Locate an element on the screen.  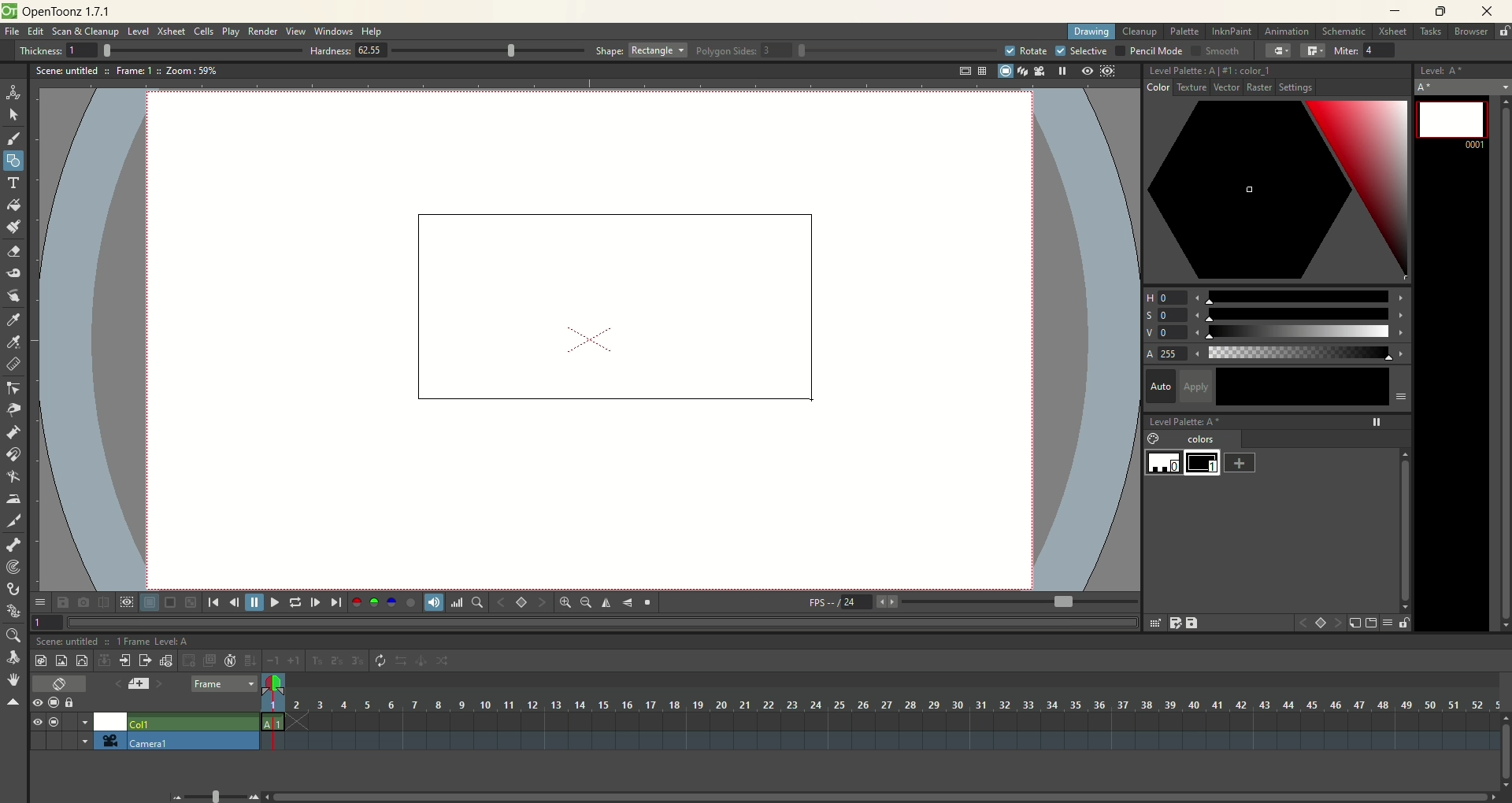
color picker is located at coordinates (1277, 192).